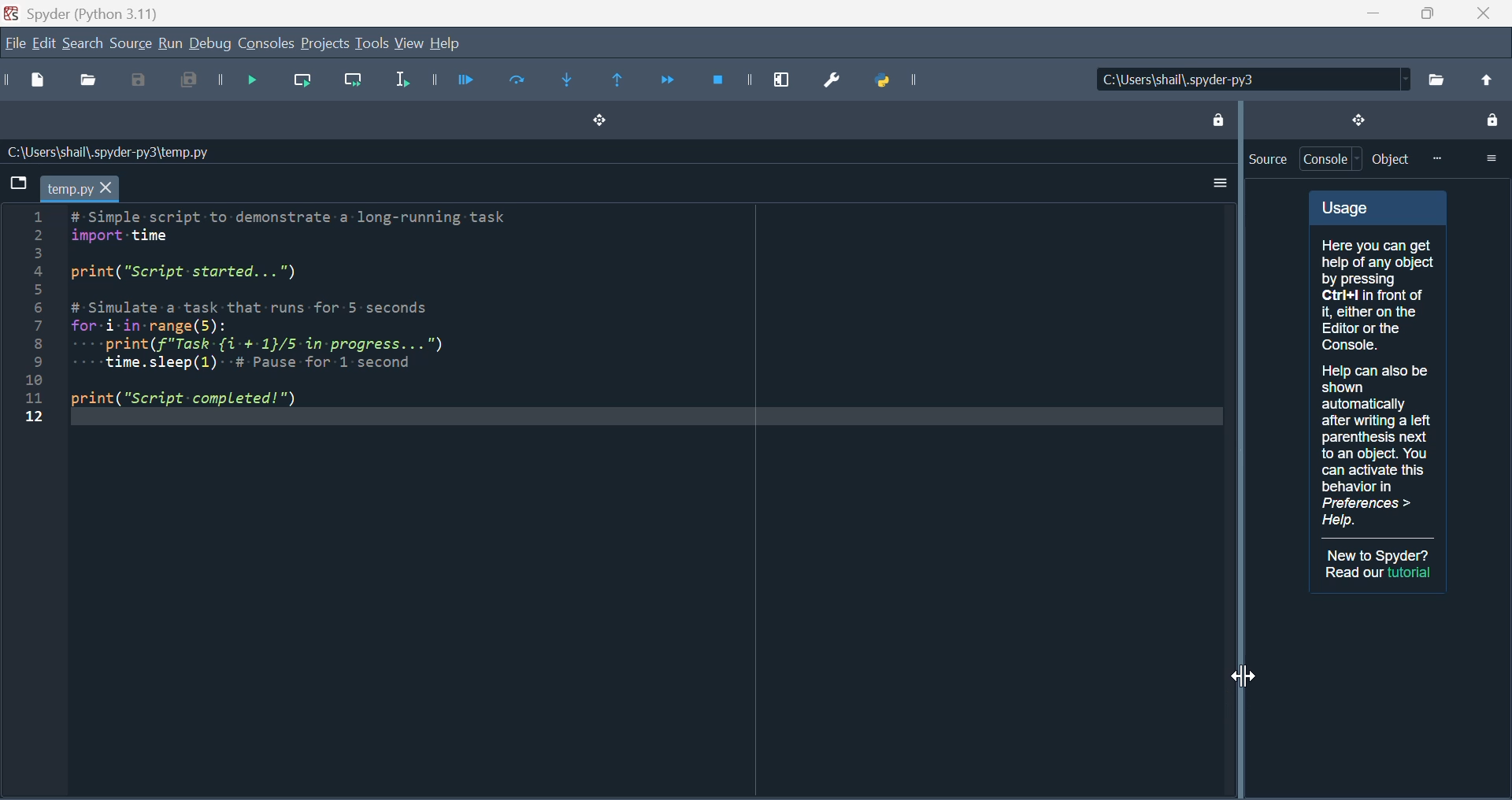  I want to click on New file, so click(41, 83).